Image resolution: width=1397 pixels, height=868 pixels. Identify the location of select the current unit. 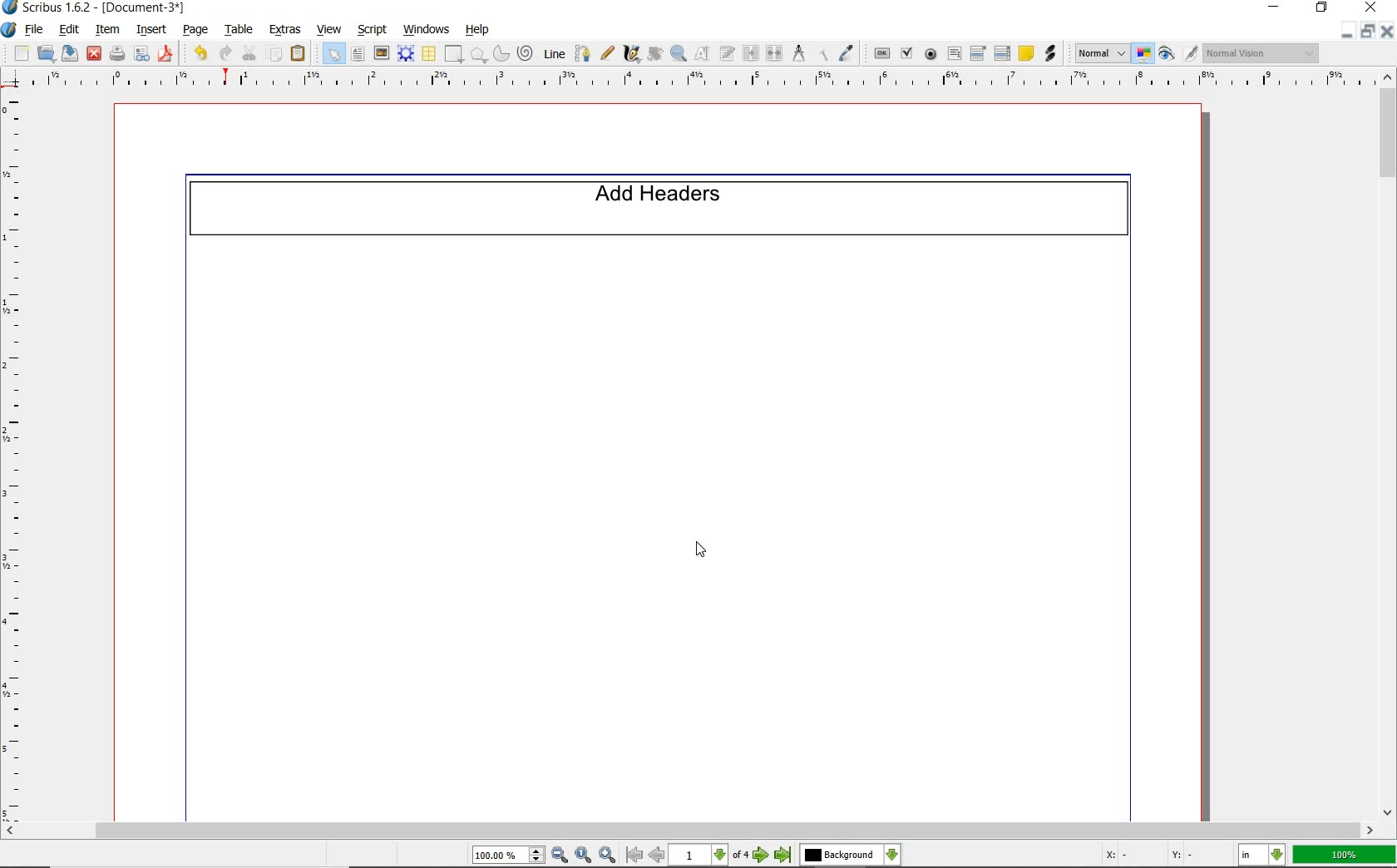
(1262, 854).